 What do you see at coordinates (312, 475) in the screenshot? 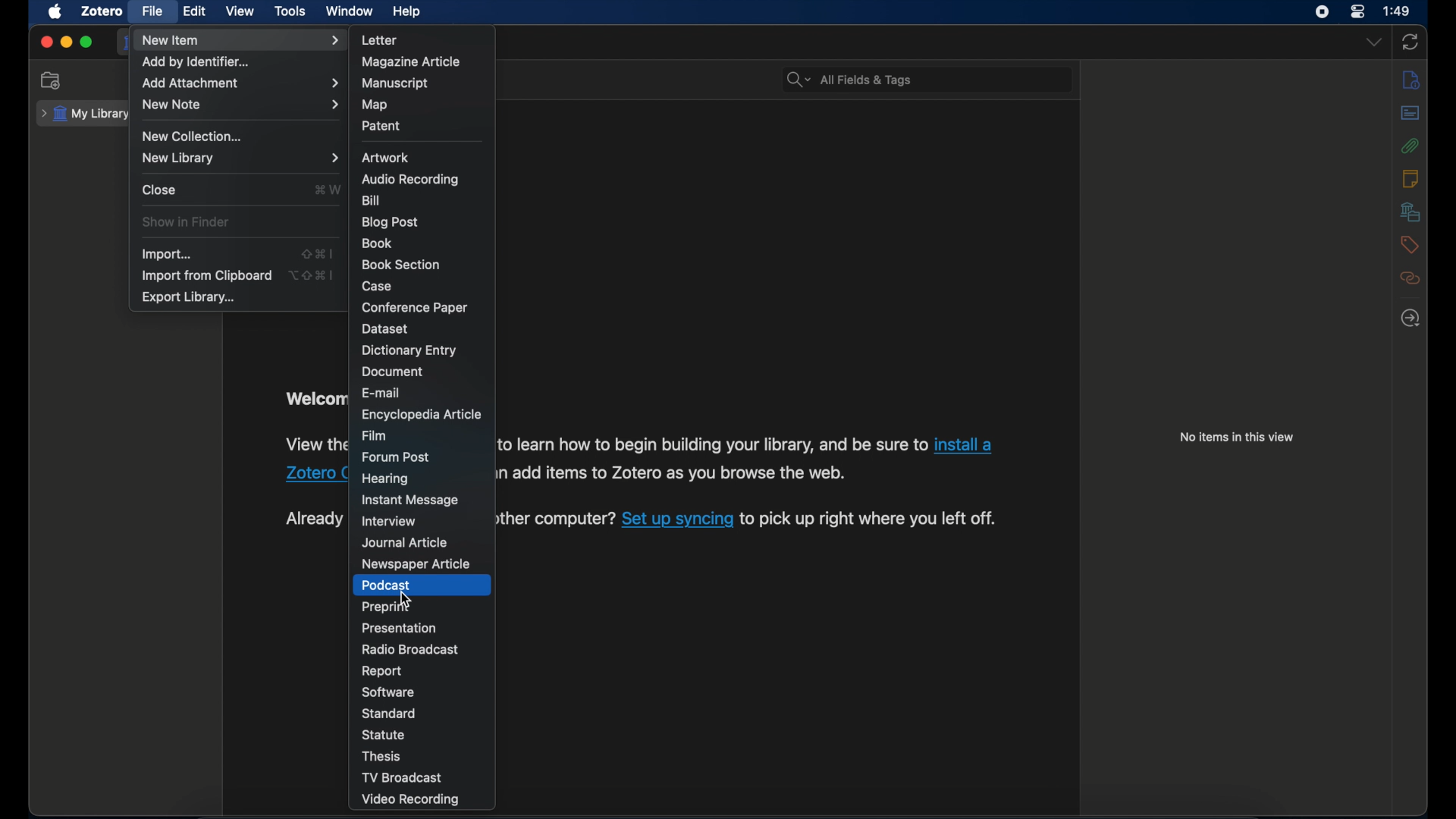
I see `Zotero ` at bounding box center [312, 475].